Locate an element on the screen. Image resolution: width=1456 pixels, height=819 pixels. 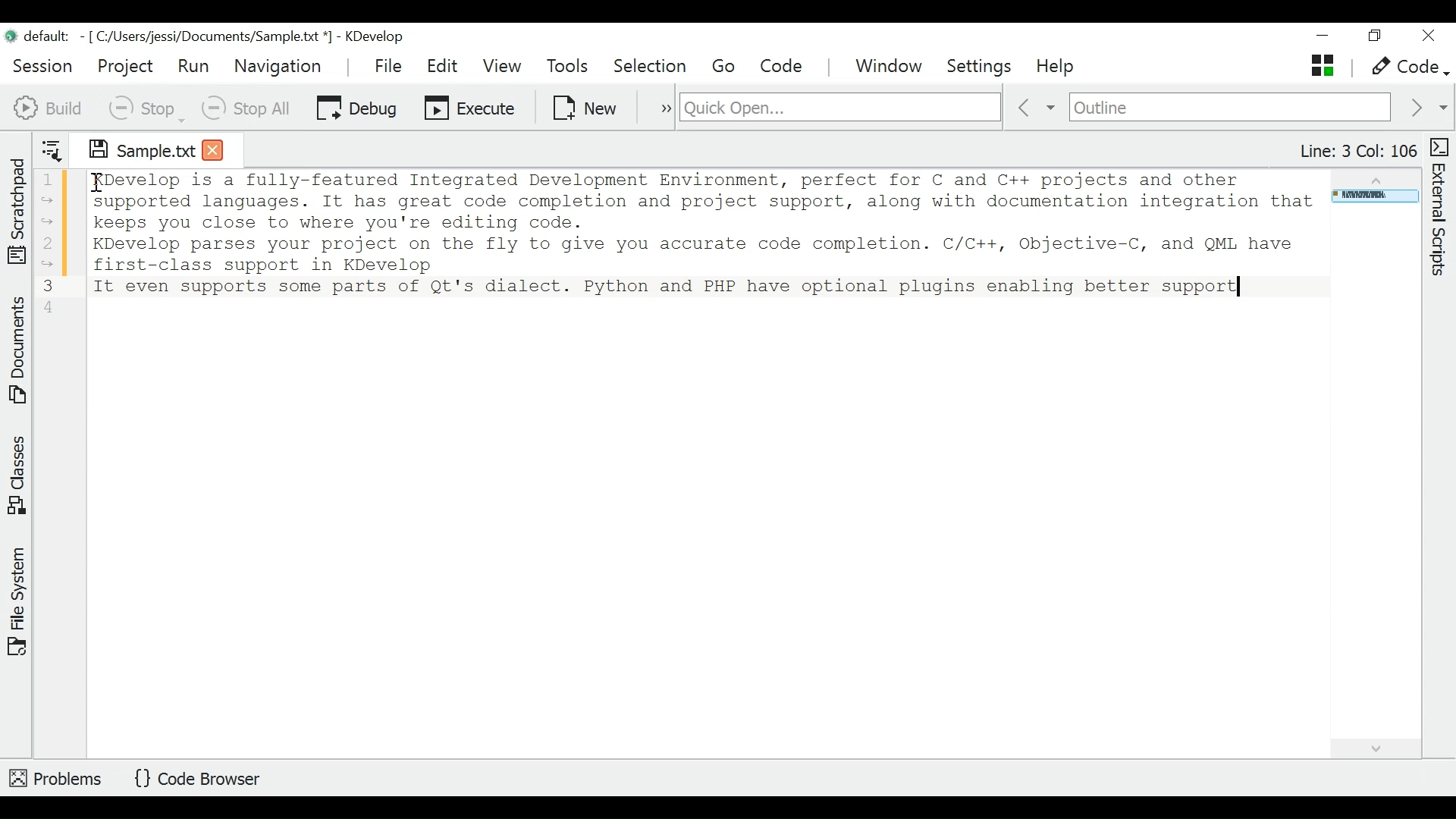
Outline is located at coordinates (1230, 108).